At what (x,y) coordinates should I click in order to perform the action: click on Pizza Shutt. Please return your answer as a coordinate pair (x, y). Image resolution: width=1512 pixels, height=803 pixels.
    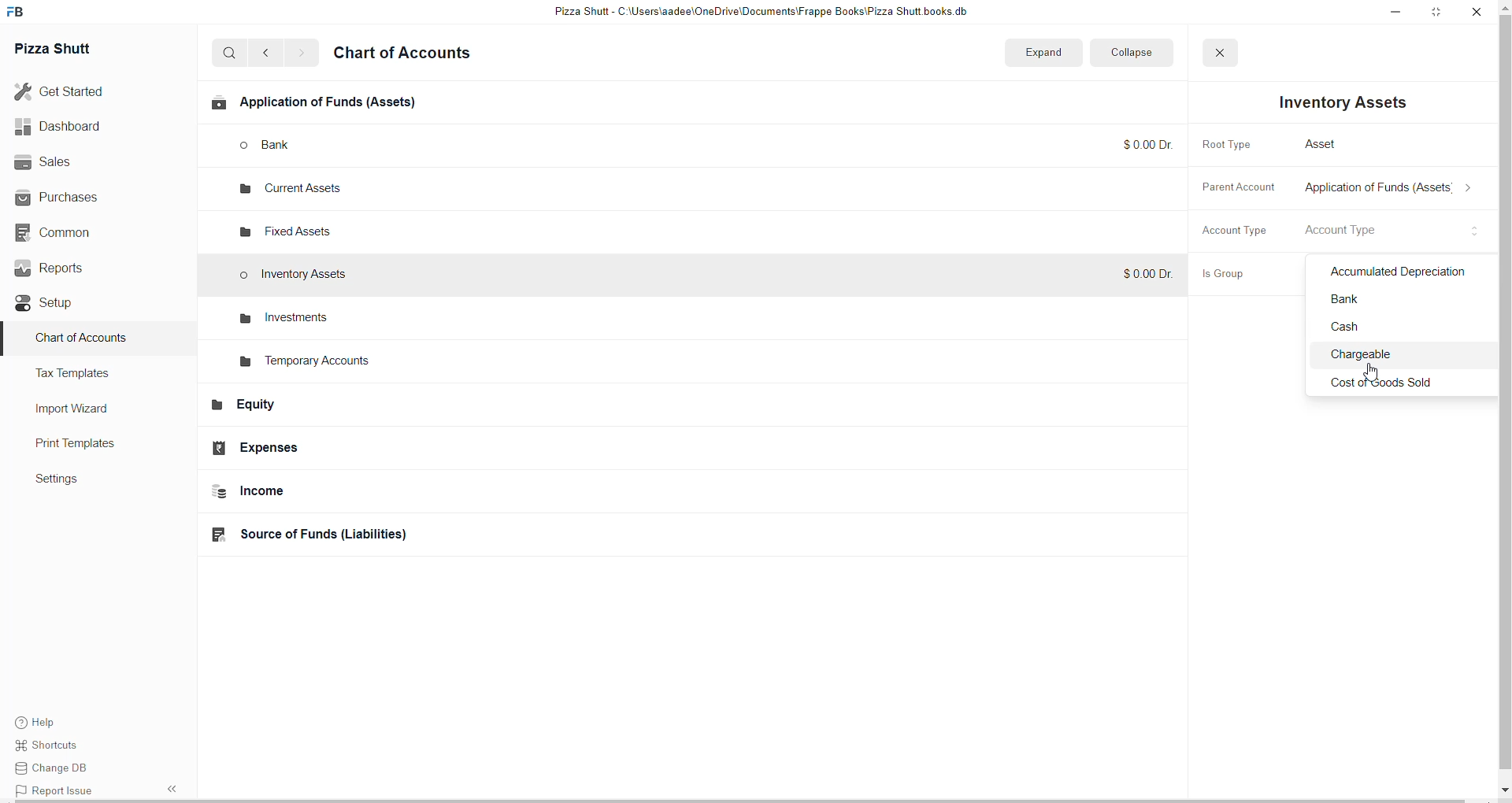
    Looking at the image, I should click on (73, 51).